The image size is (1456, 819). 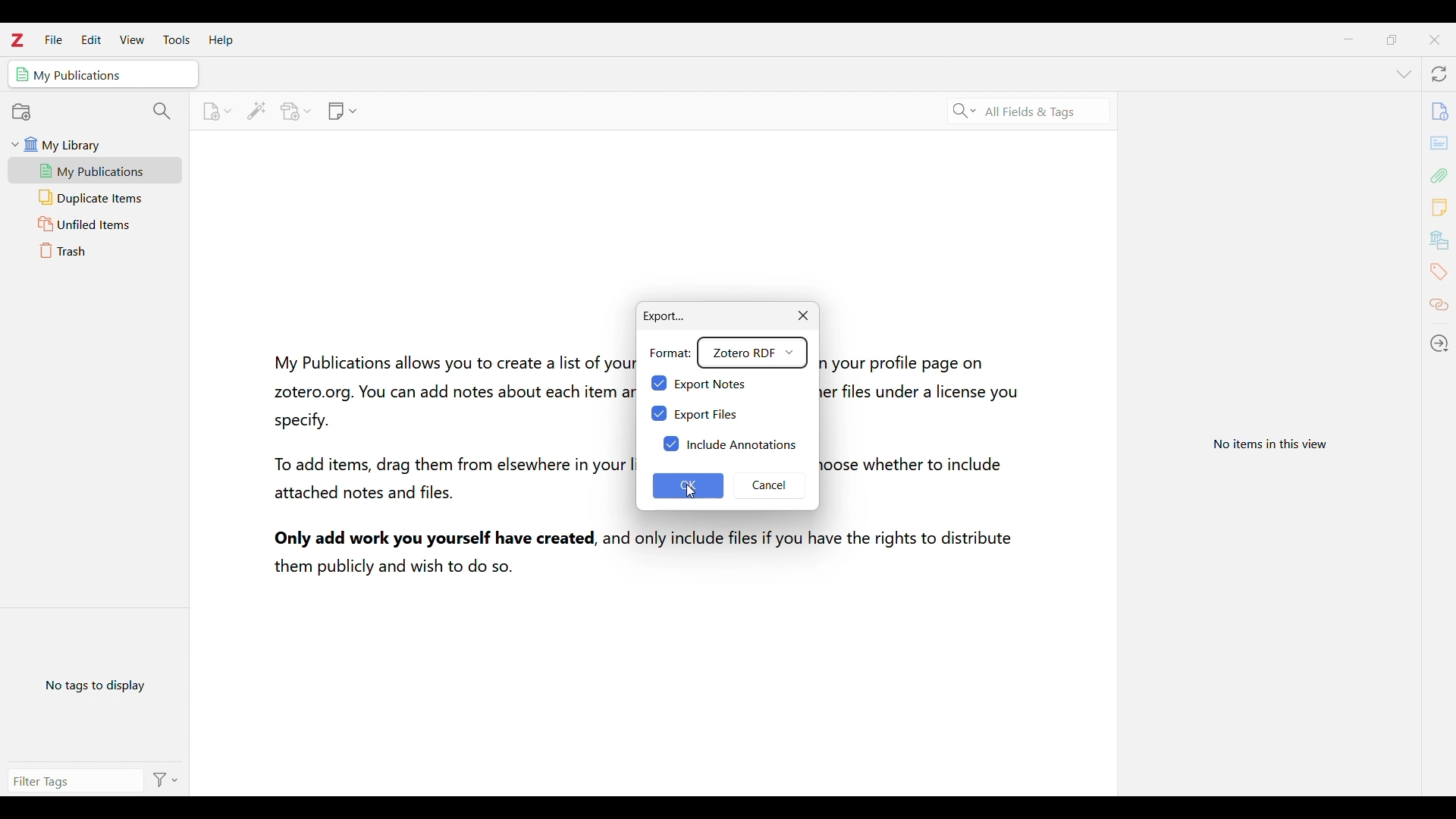 I want to click on Enter search manually, so click(x=72, y=779).